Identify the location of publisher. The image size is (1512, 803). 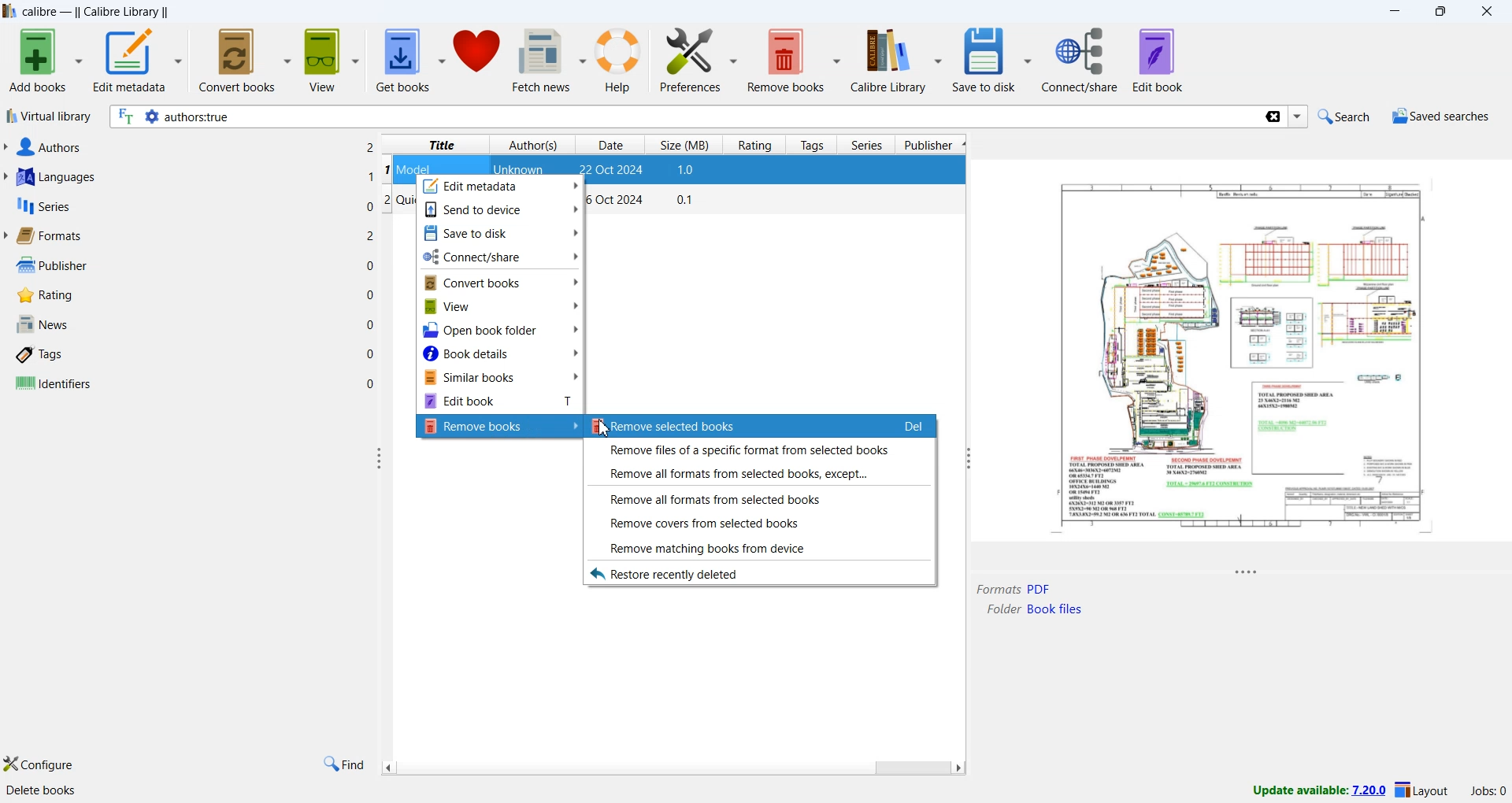
(932, 146).